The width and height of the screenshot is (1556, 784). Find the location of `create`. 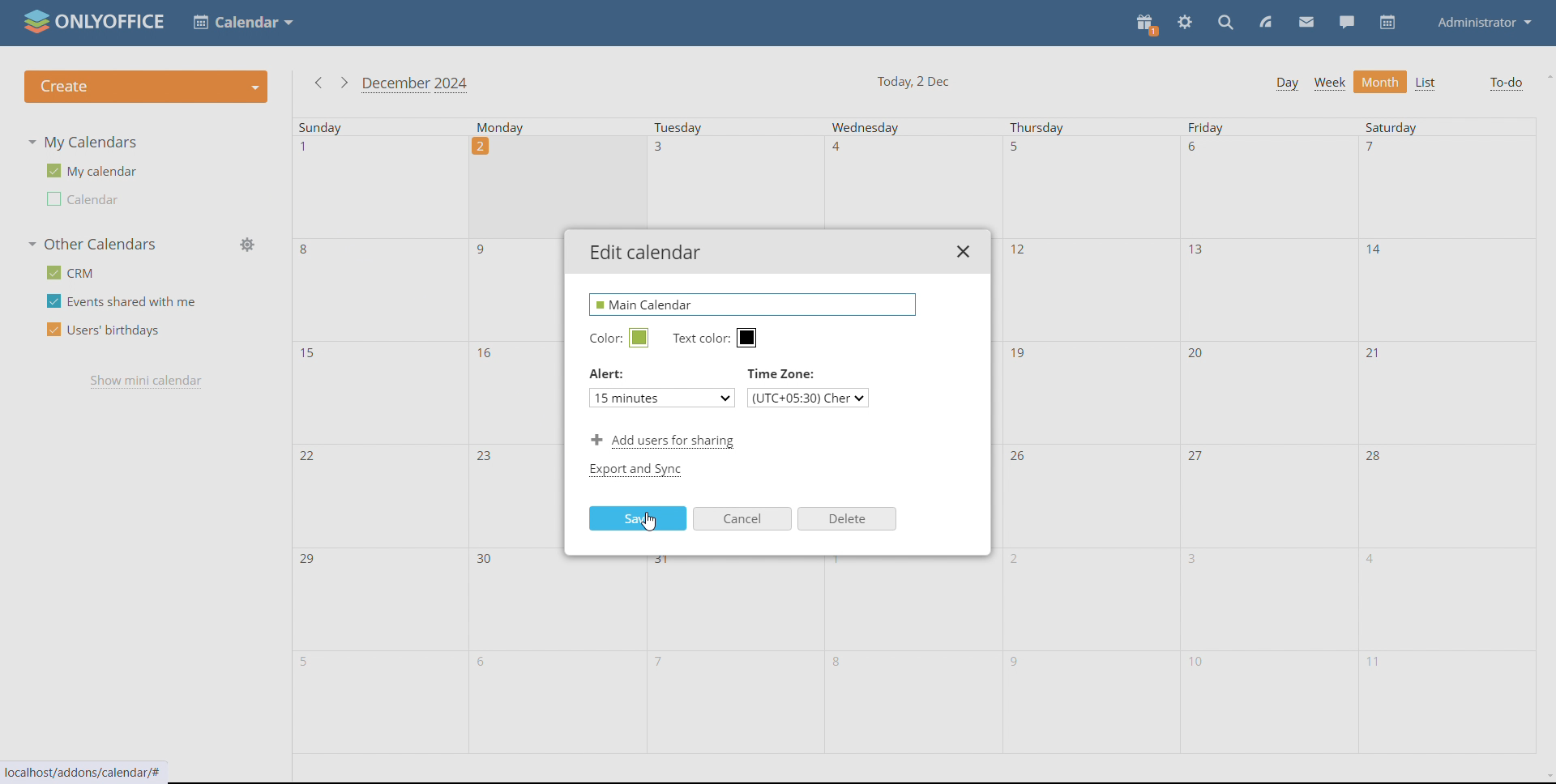

create is located at coordinates (146, 87).